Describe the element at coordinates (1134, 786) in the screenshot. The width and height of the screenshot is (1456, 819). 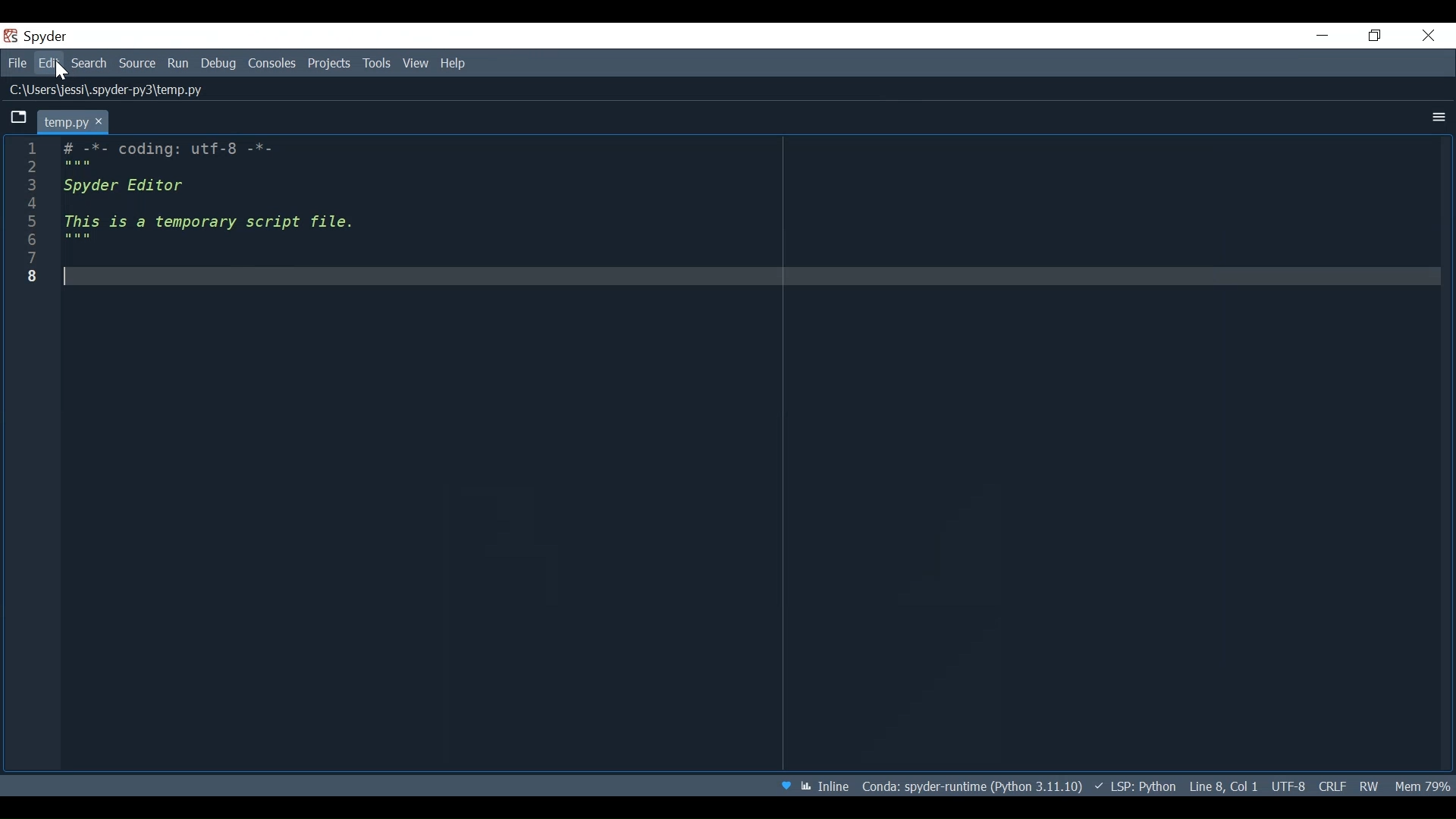
I see `Language` at that location.